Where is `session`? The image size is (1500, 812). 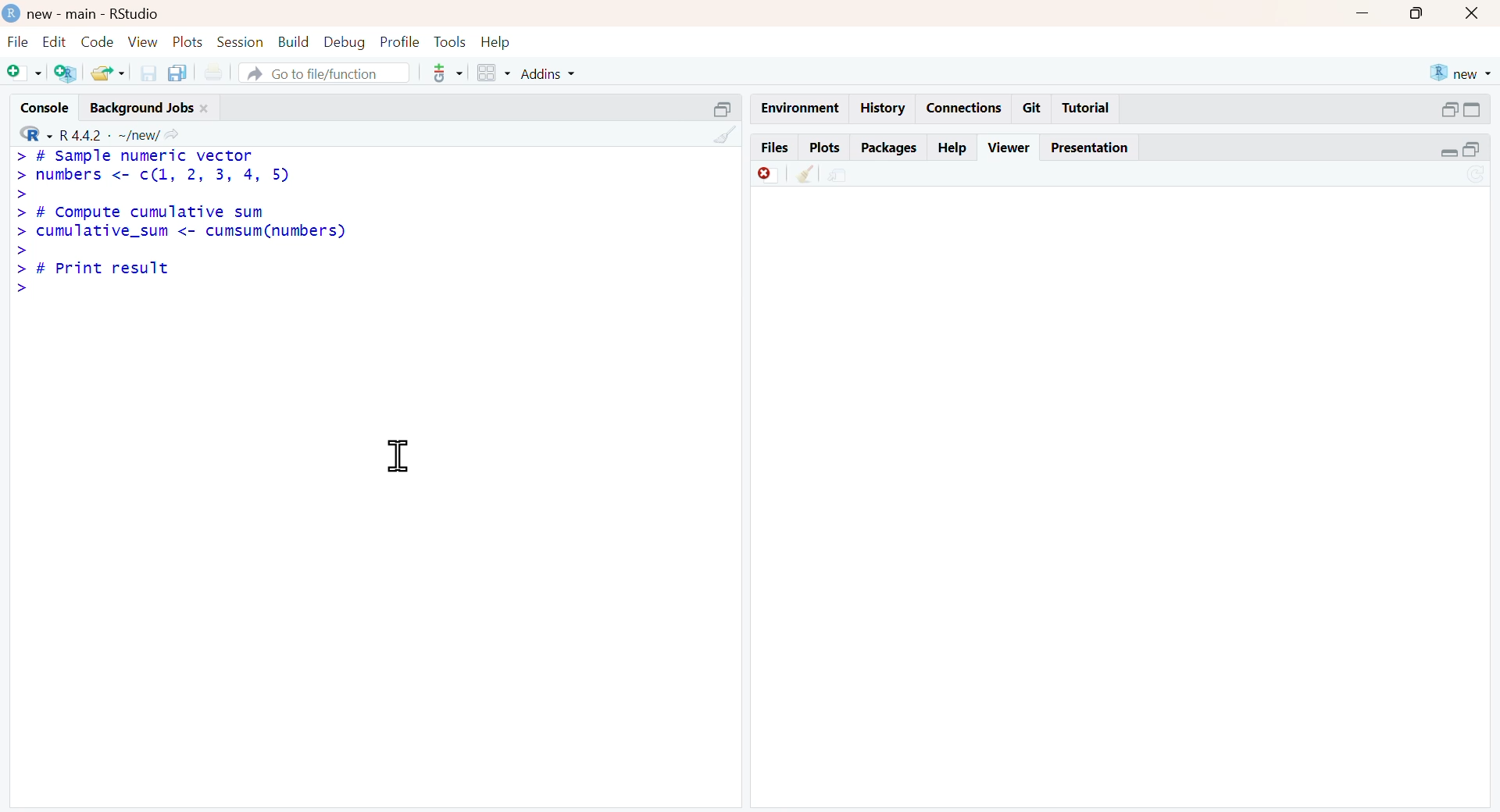 session is located at coordinates (241, 41).